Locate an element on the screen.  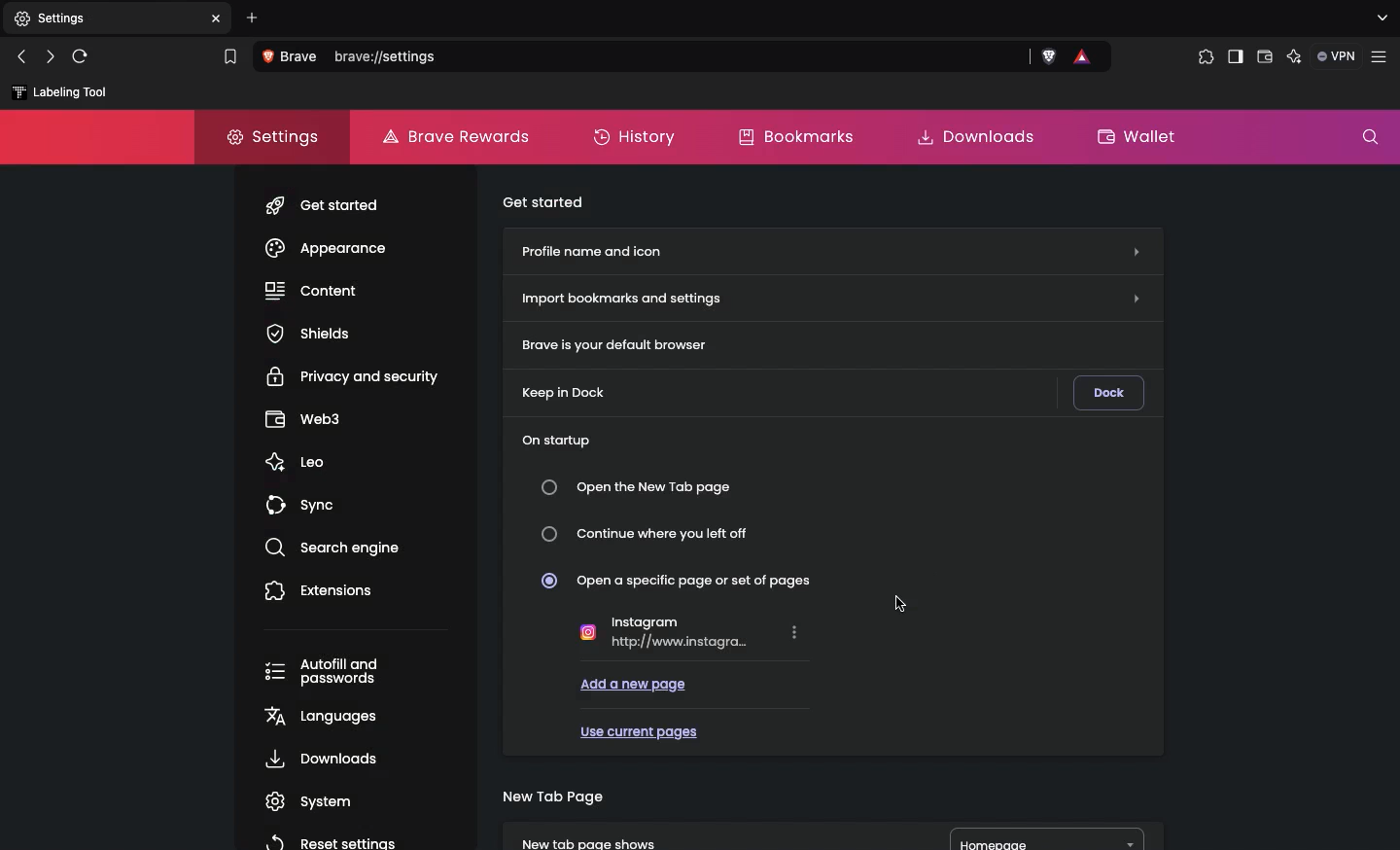
Extensions is located at coordinates (1202, 57).